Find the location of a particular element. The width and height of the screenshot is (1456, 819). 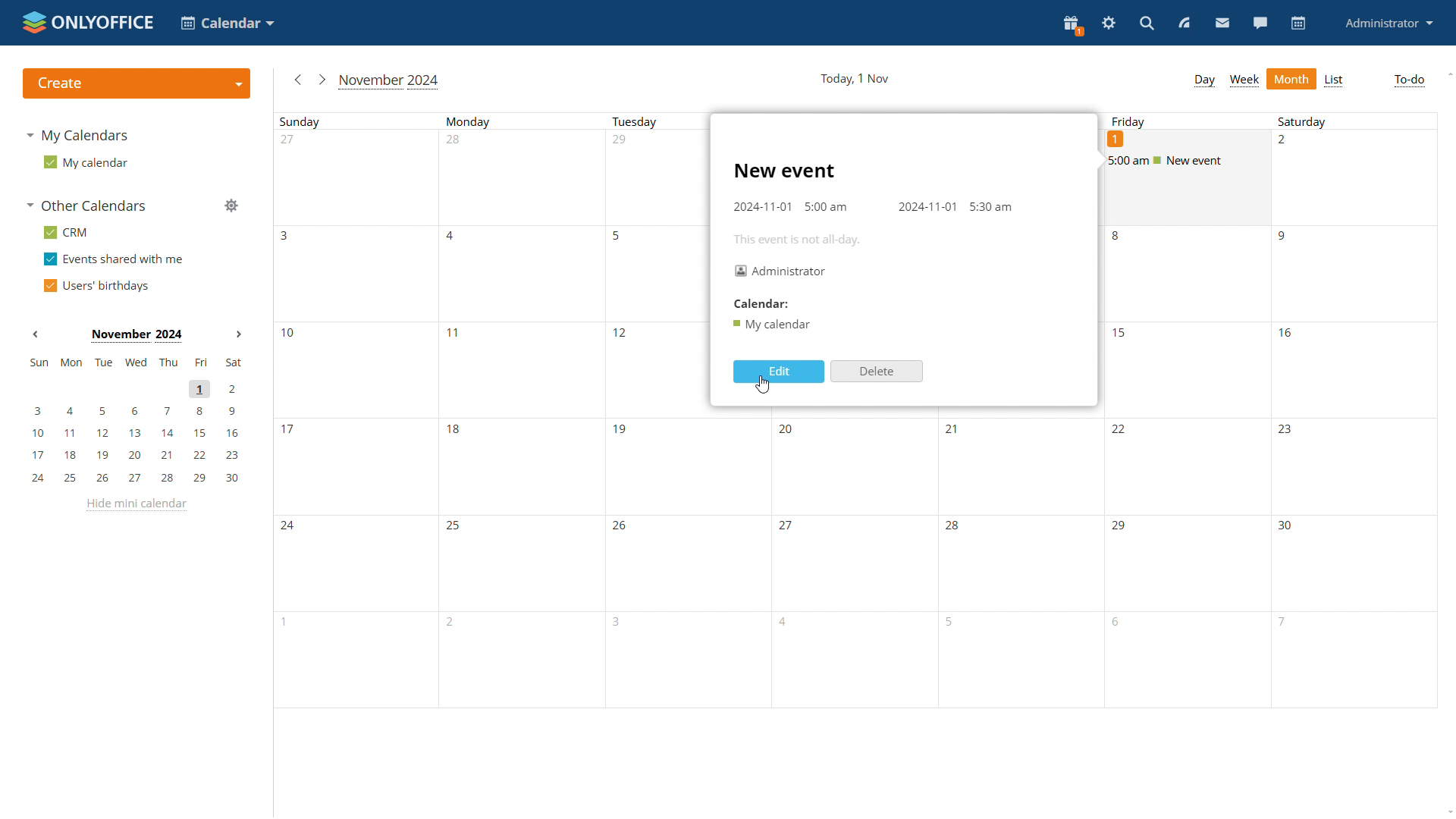

day view is located at coordinates (1203, 82).